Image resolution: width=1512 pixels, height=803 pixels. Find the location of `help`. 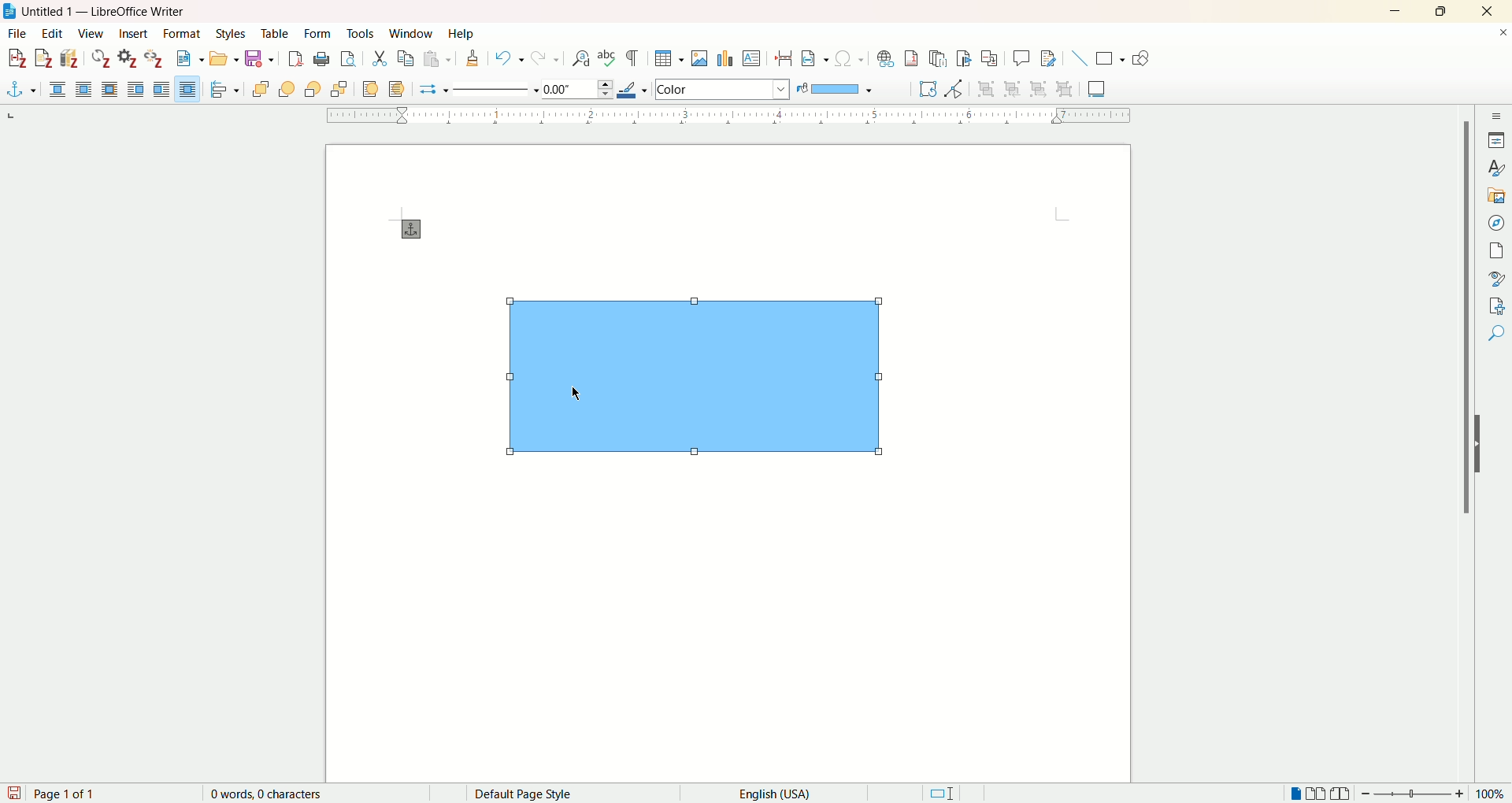

help is located at coordinates (460, 33).